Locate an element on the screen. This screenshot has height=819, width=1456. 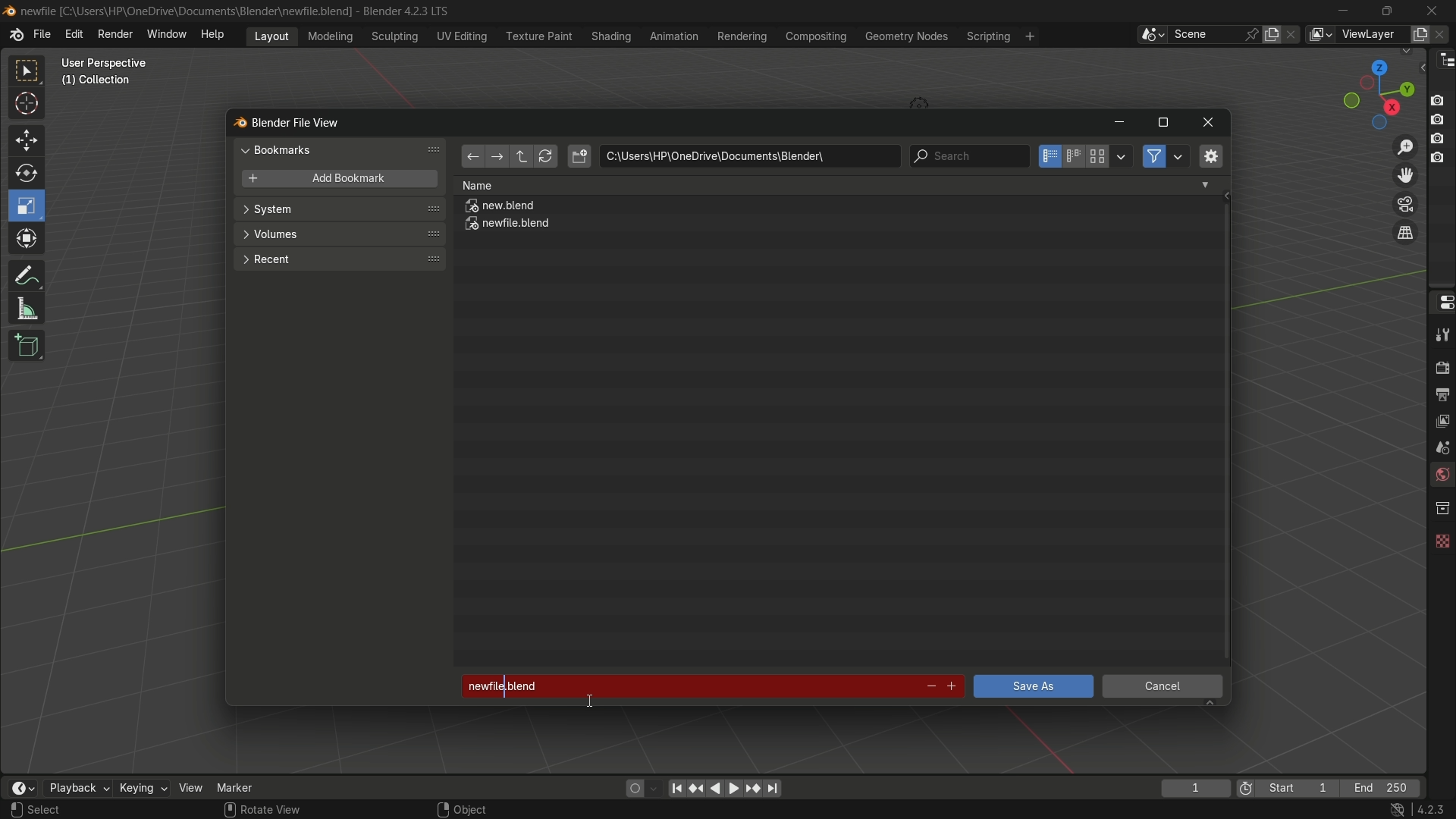
minimize is located at coordinates (1119, 124).